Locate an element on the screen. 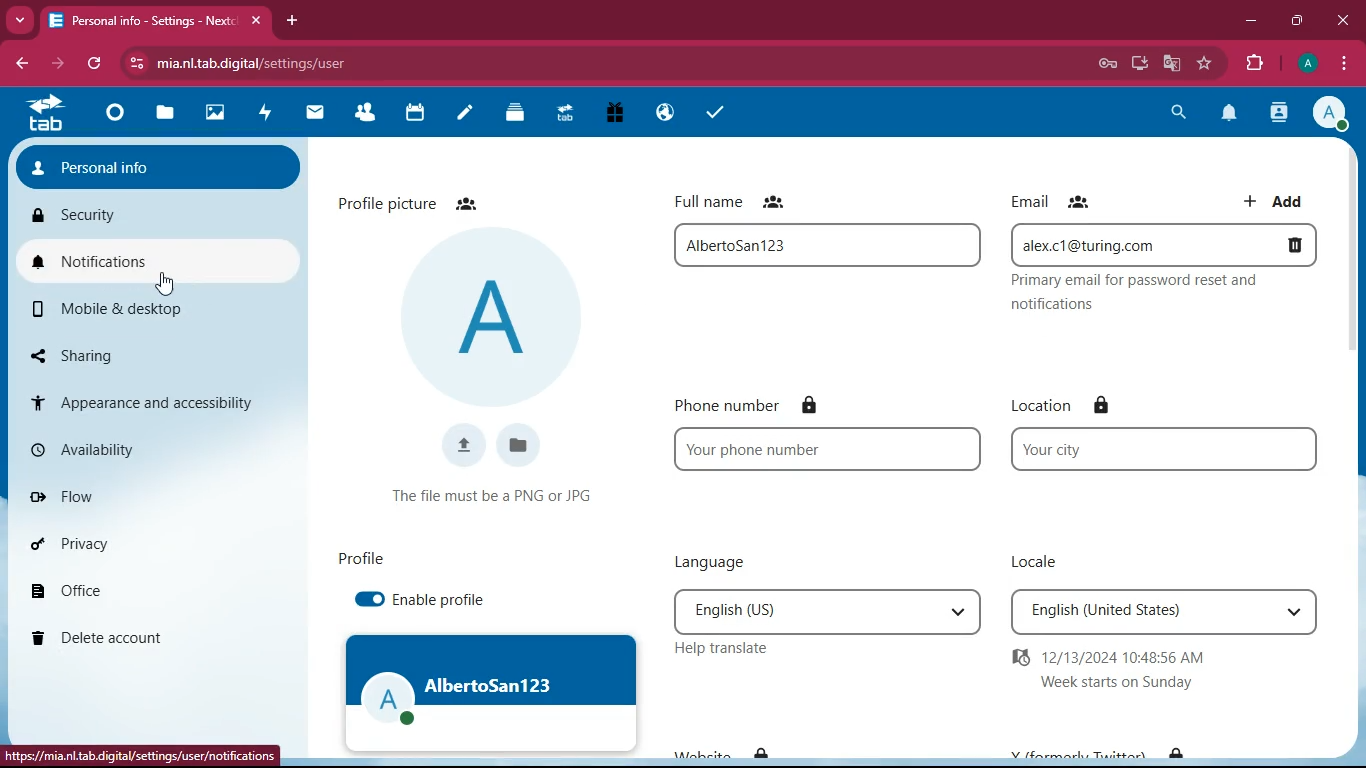 This screenshot has width=1366, height=768. mail is located at coordinates (315, 114).